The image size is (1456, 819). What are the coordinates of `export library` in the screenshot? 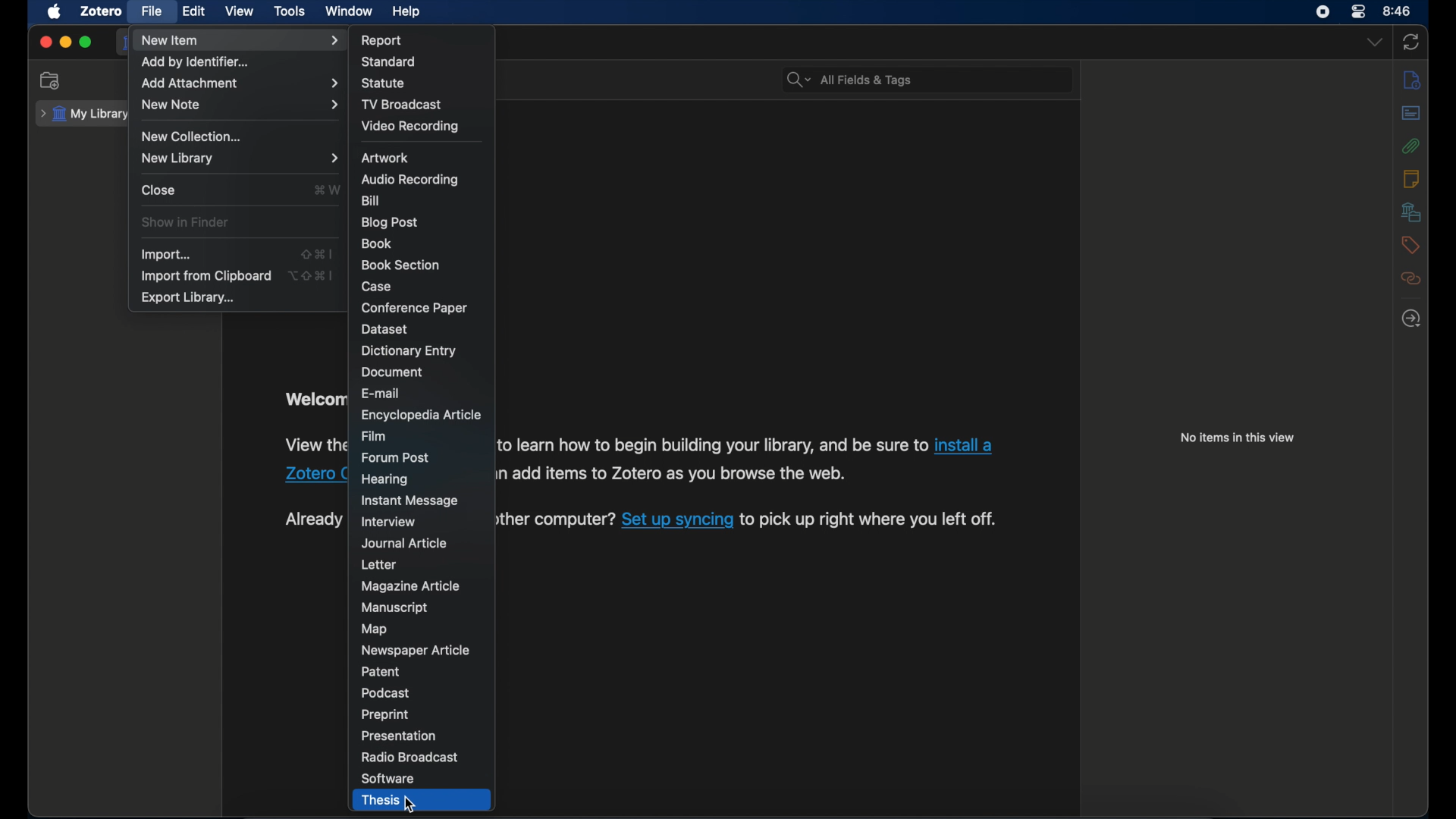 It's located at (188, 298).